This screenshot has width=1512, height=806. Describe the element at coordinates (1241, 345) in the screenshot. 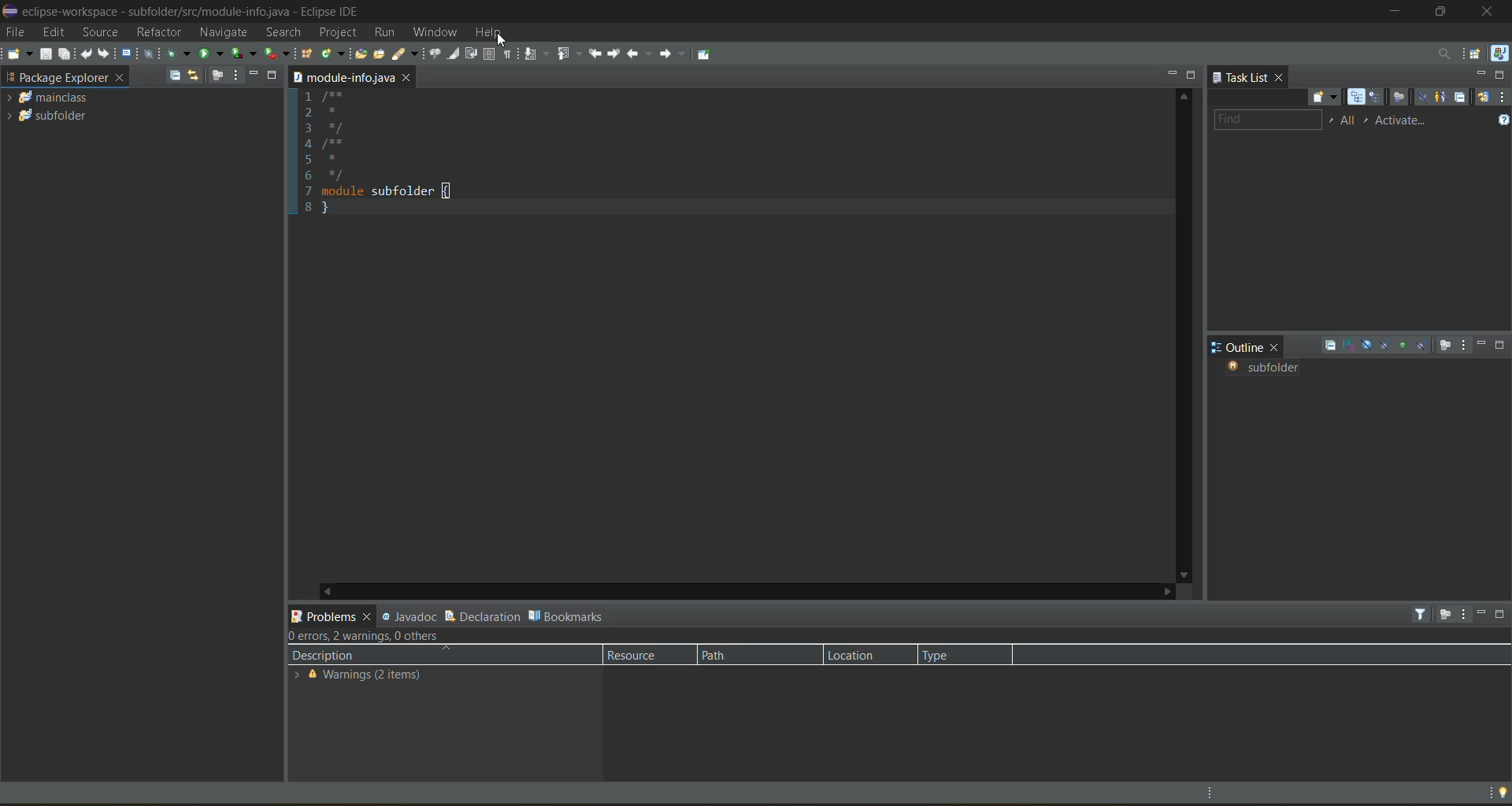

I see `outline` at that location.